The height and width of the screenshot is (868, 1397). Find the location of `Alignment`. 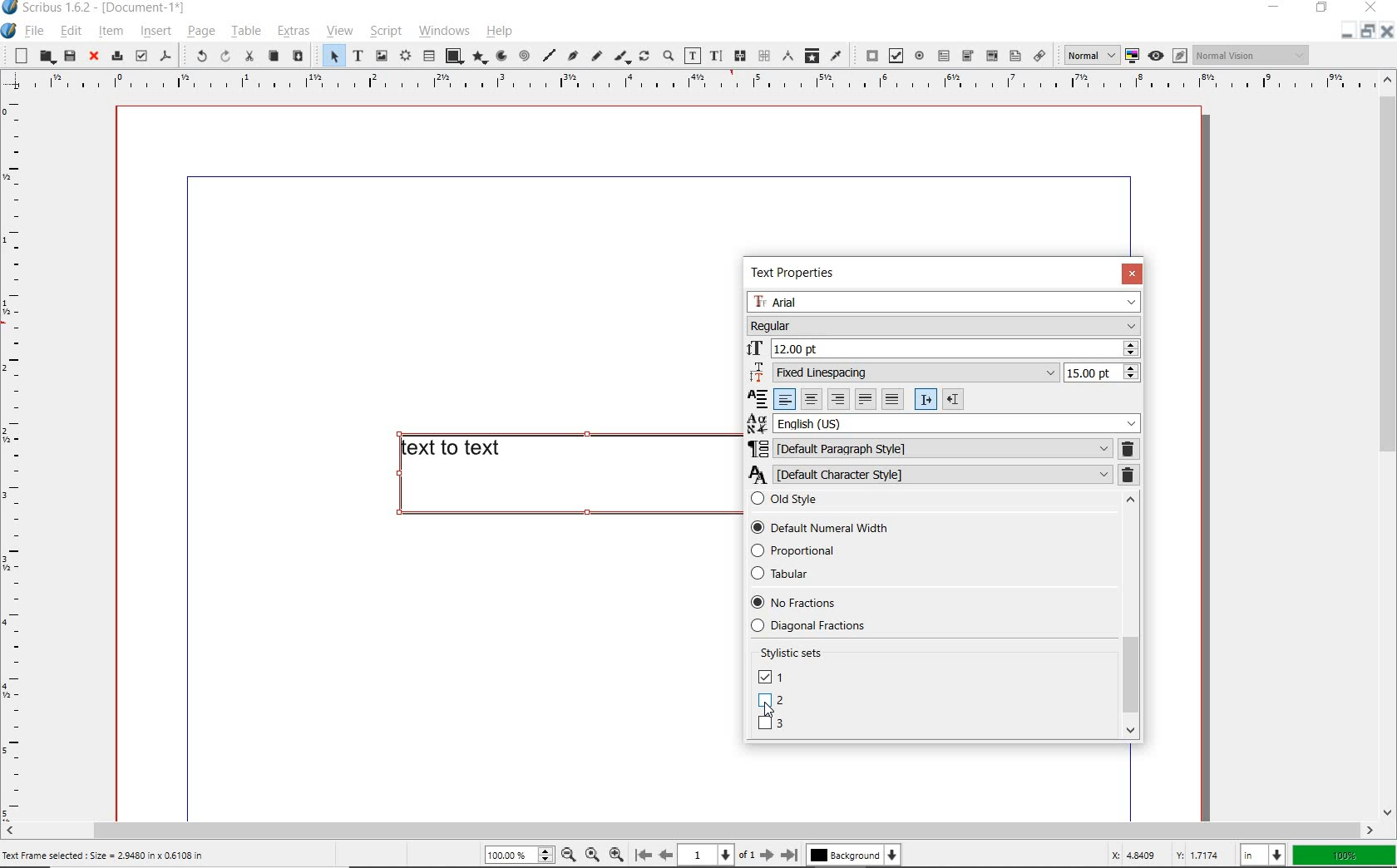

Alignment is located at coordinates (760, 400).